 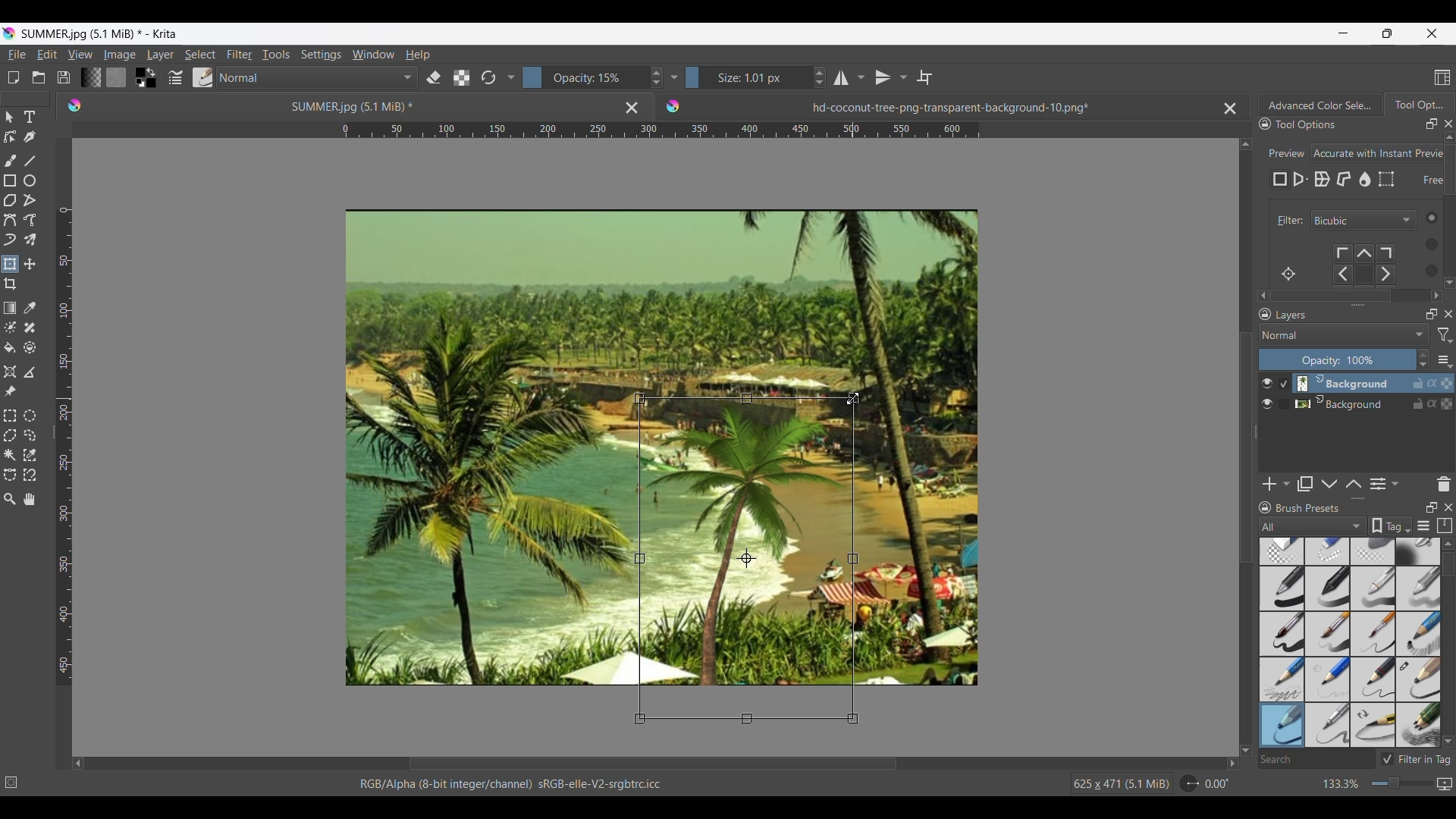 I want to click on Increase/Decrease size, so click(x=756, y=77).